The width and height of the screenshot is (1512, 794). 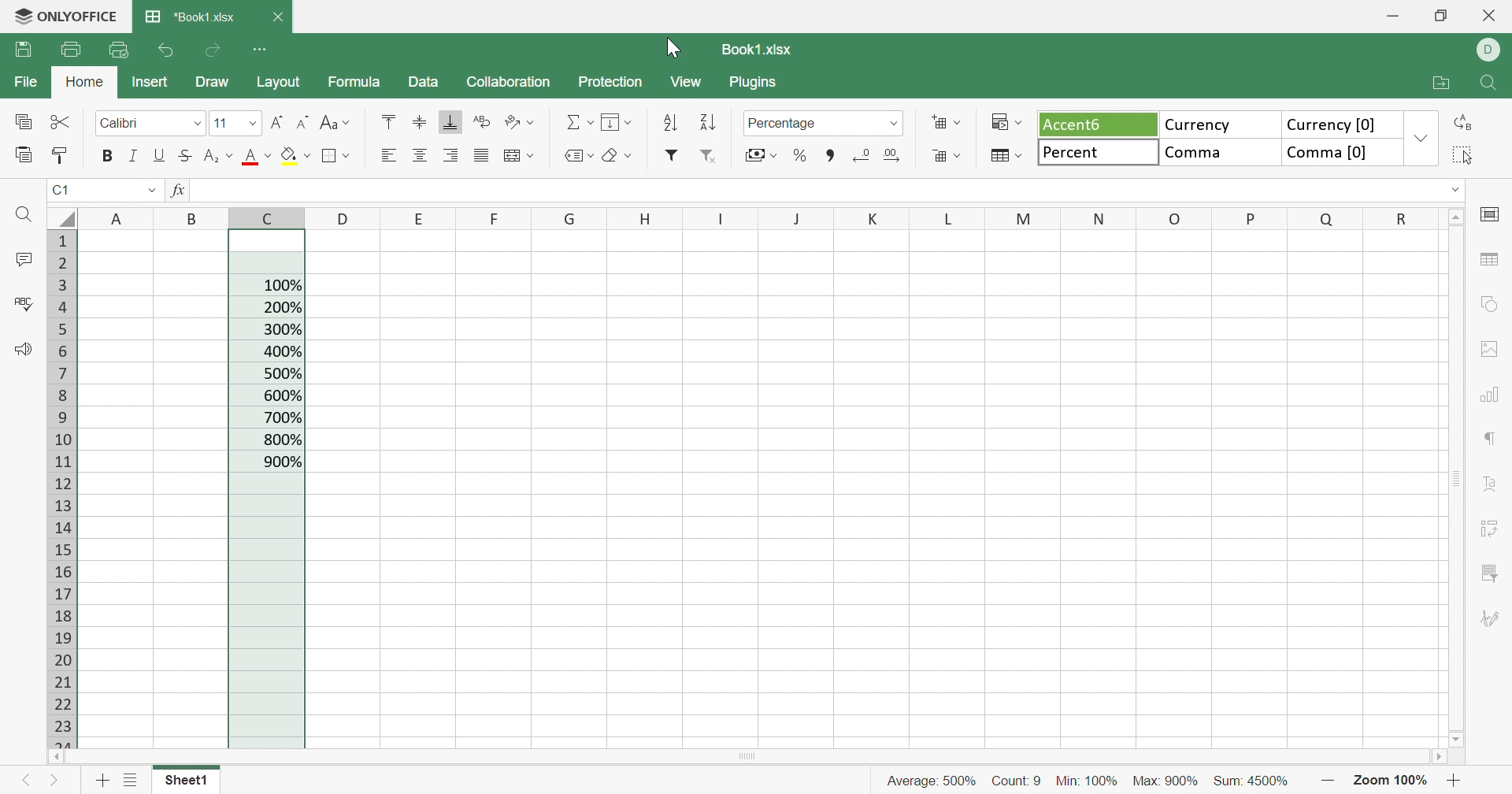 I want to click on Print, so click(x=68, y=50).